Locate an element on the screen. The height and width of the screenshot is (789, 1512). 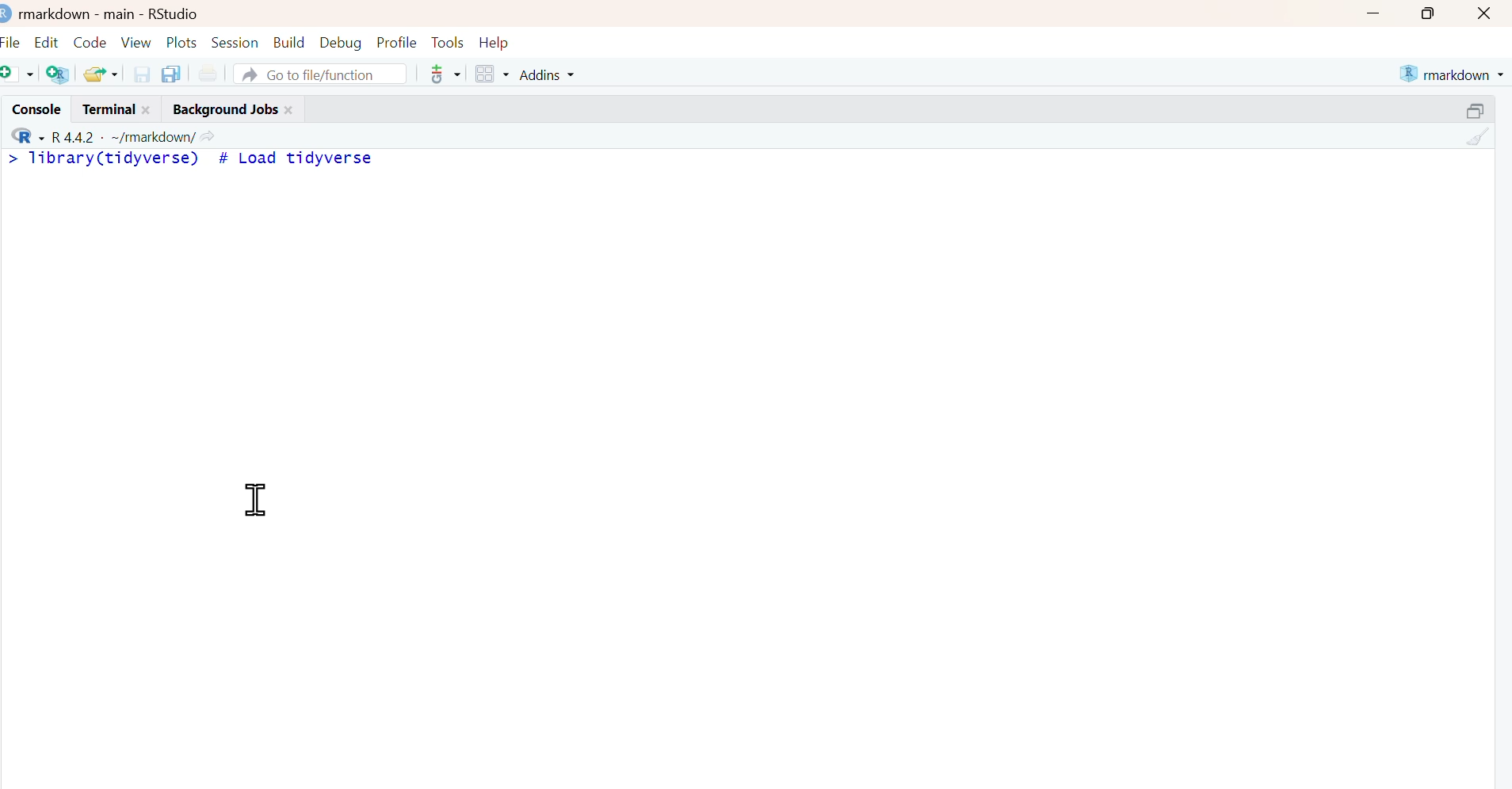
new file is located at coordinates (19, 73).